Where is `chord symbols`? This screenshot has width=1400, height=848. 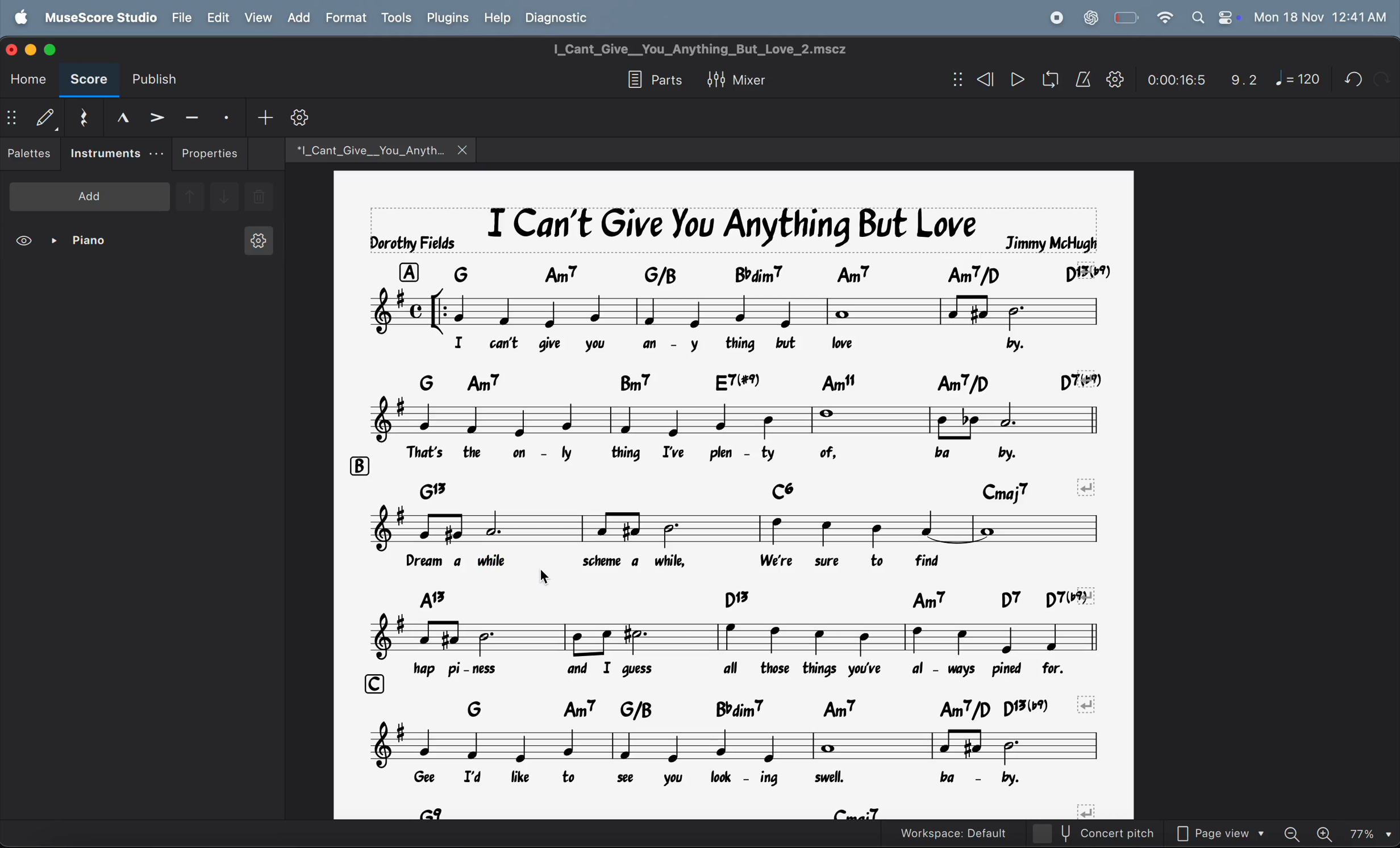
chord symbols is located at coordinates (772, 709).